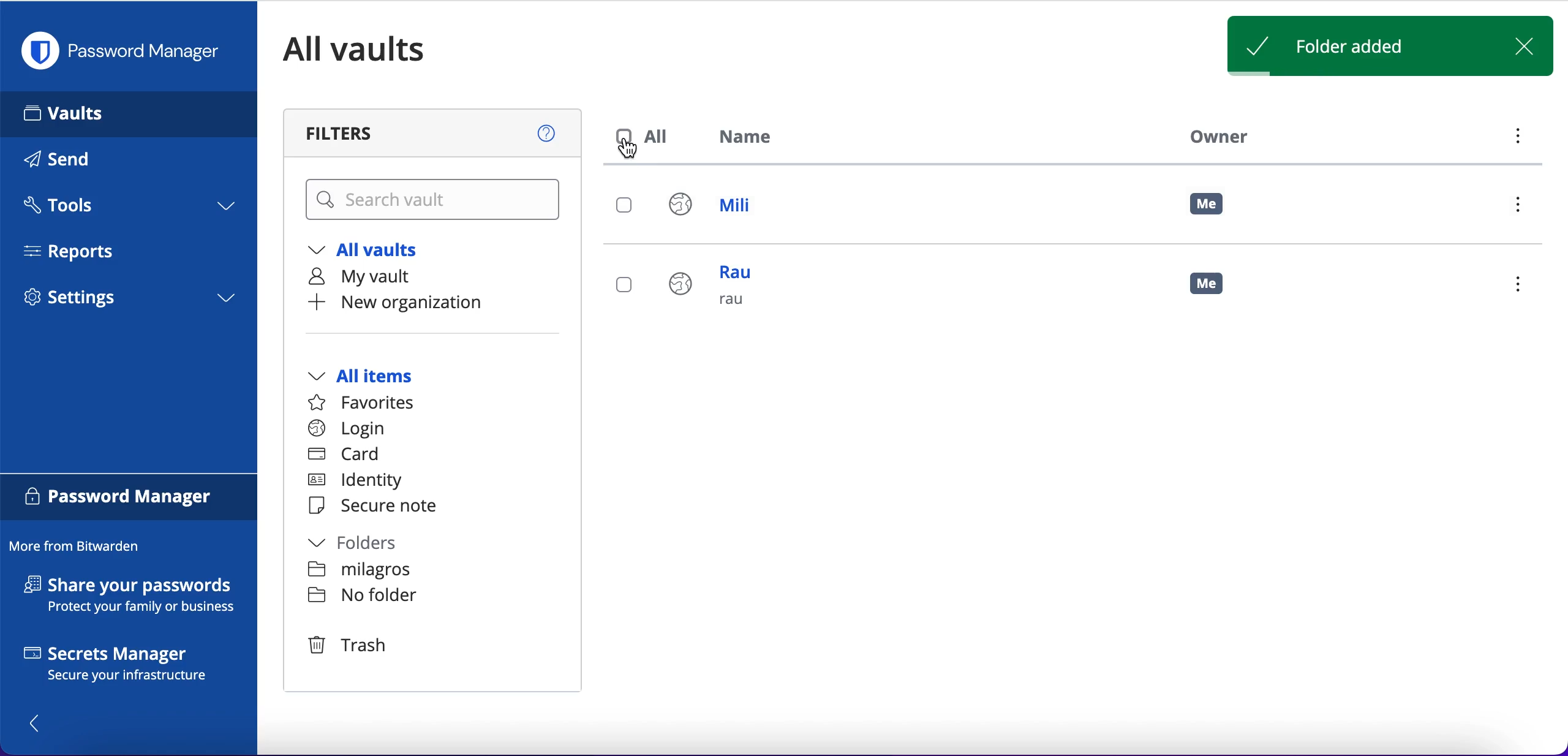  Describe the element at coordinates (722, 208) in the screenshot. I see `mili` at that location.